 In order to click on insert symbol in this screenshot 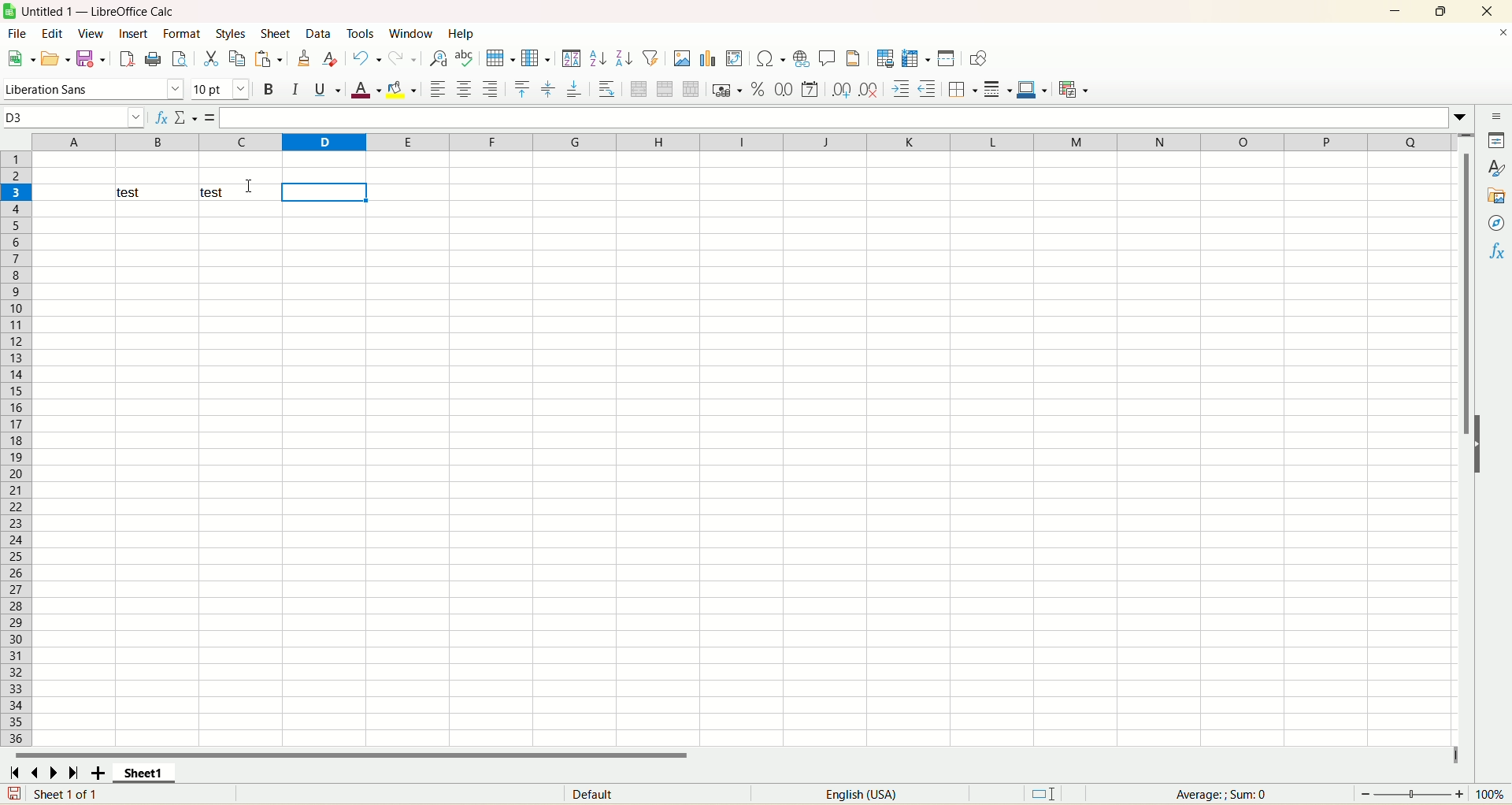, I will do `click(769, 59)`.